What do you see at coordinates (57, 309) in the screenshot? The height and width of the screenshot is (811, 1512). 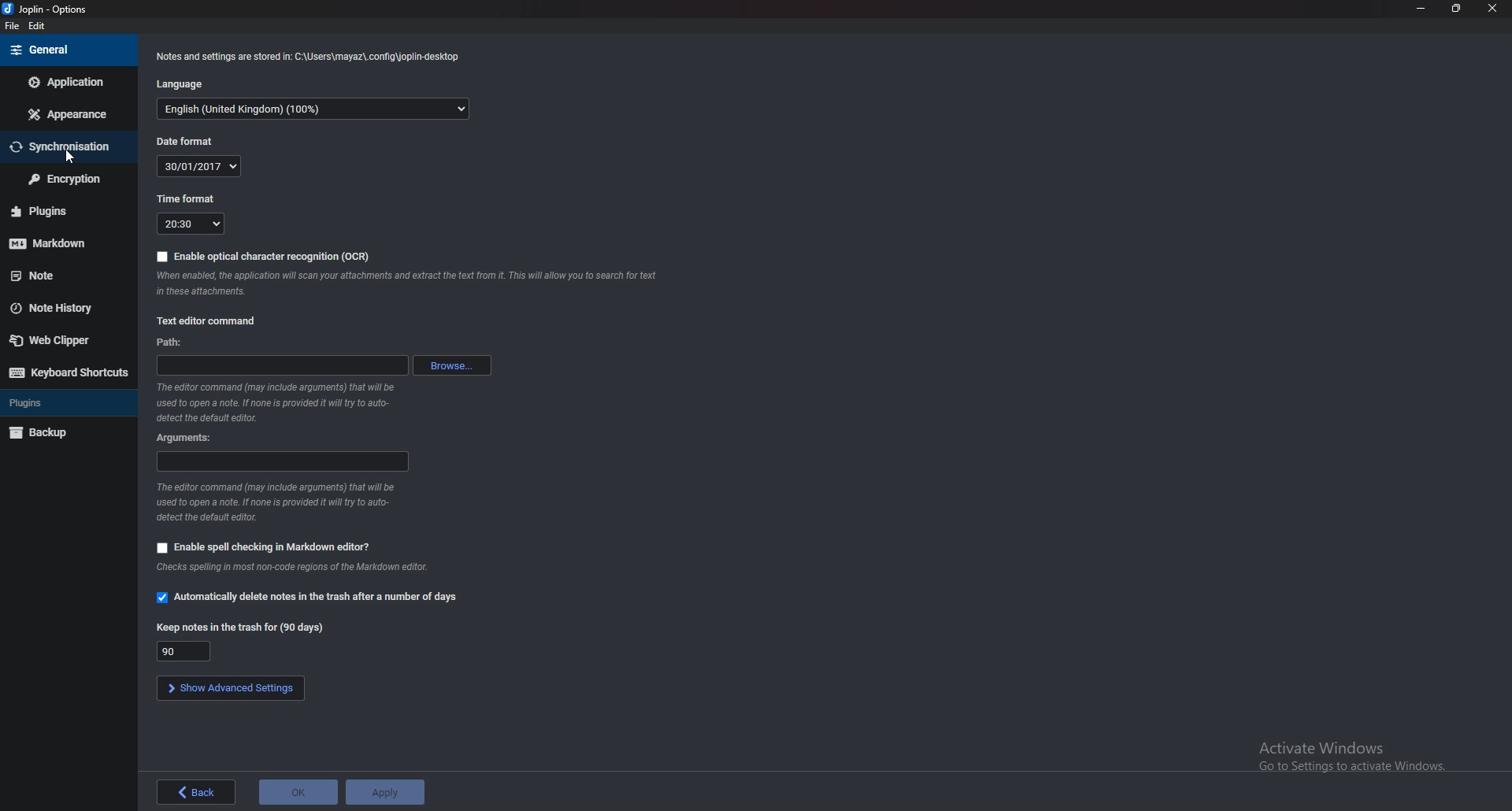 I see `note history` at bounding box center [57, 309].